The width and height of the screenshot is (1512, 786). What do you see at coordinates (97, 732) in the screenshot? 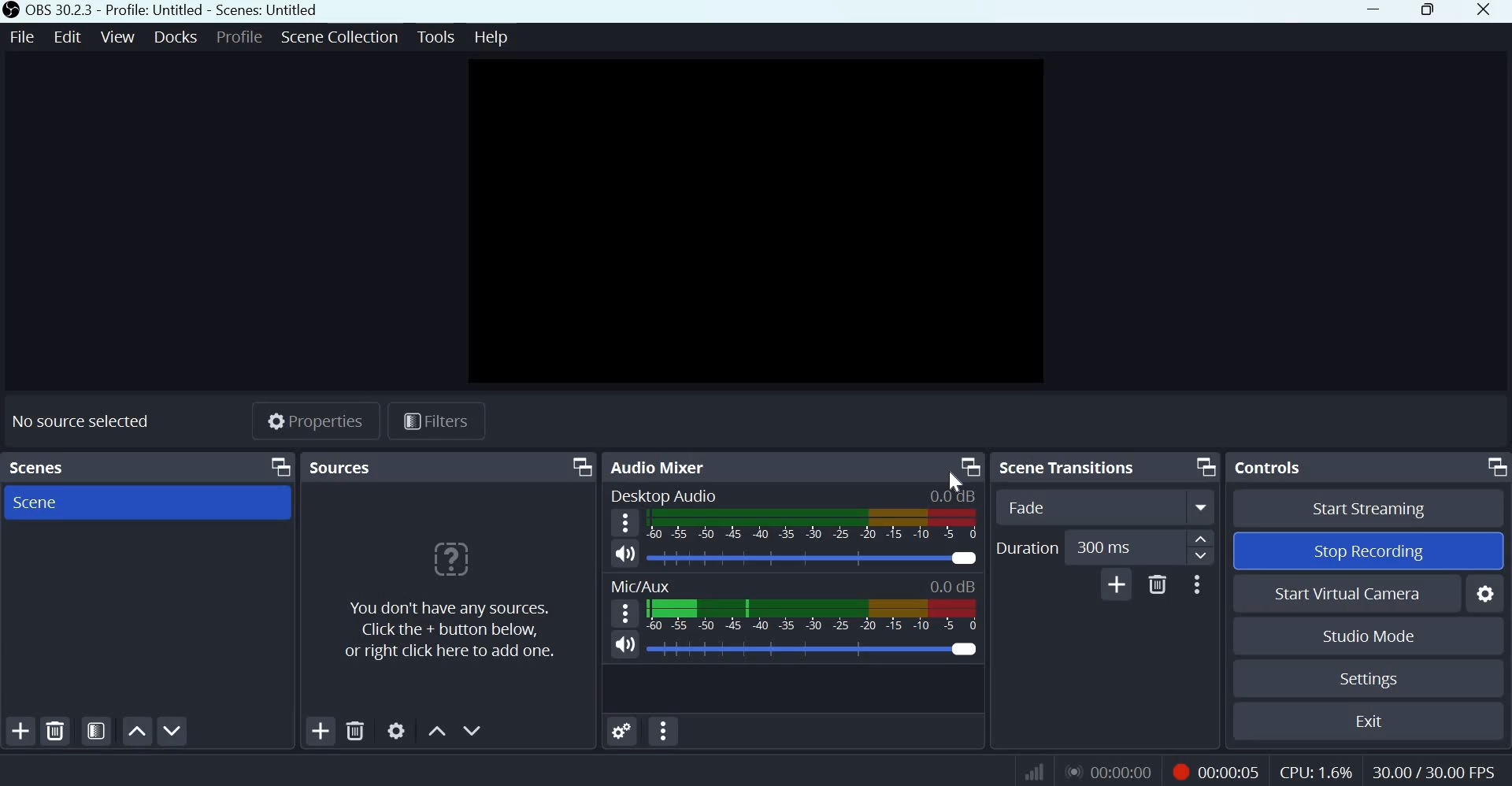
I see `Open scene filters` at bounding box center [97, 732].